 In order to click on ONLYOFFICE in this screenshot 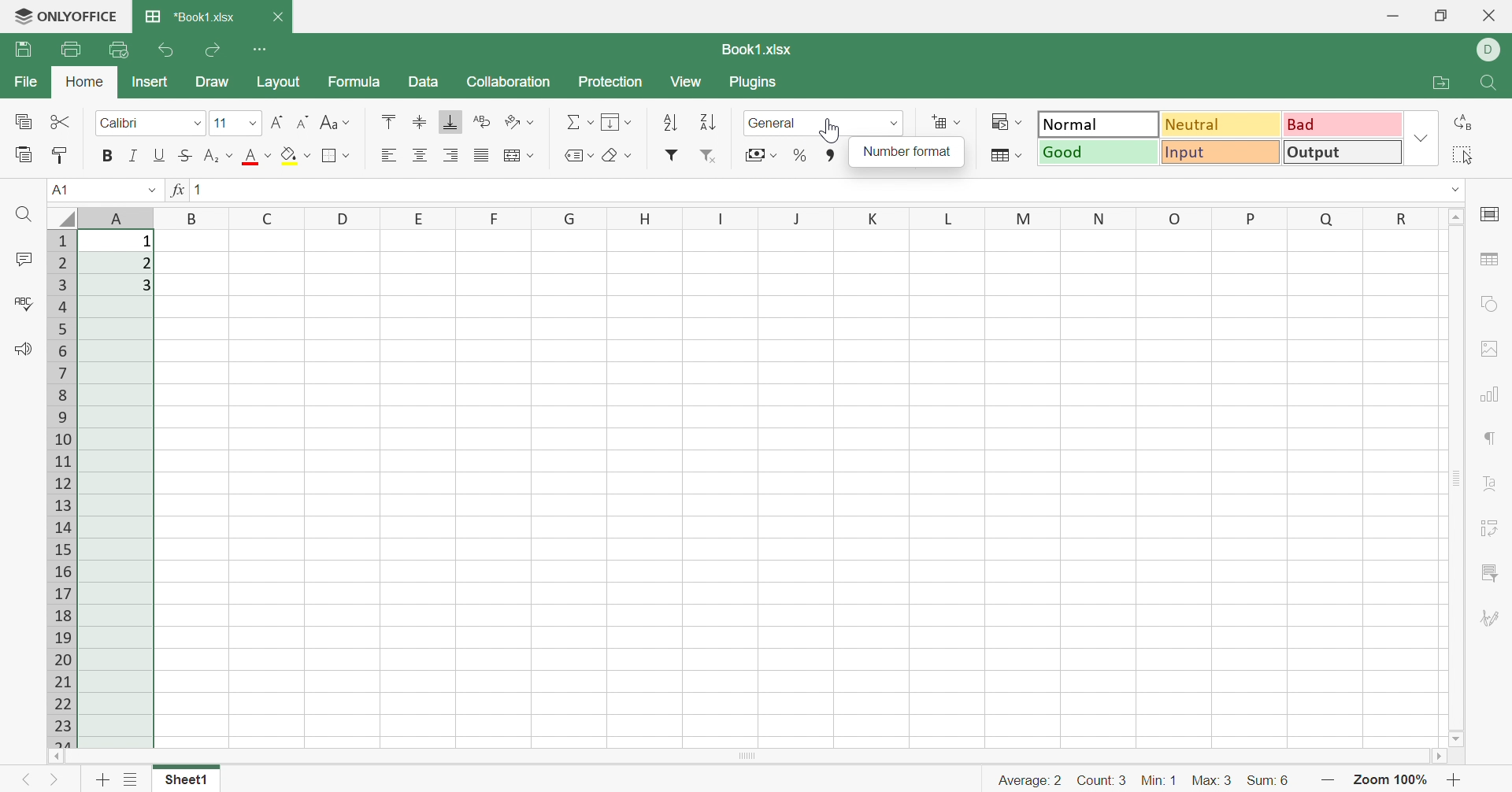, I will do `click(81, 14)`.